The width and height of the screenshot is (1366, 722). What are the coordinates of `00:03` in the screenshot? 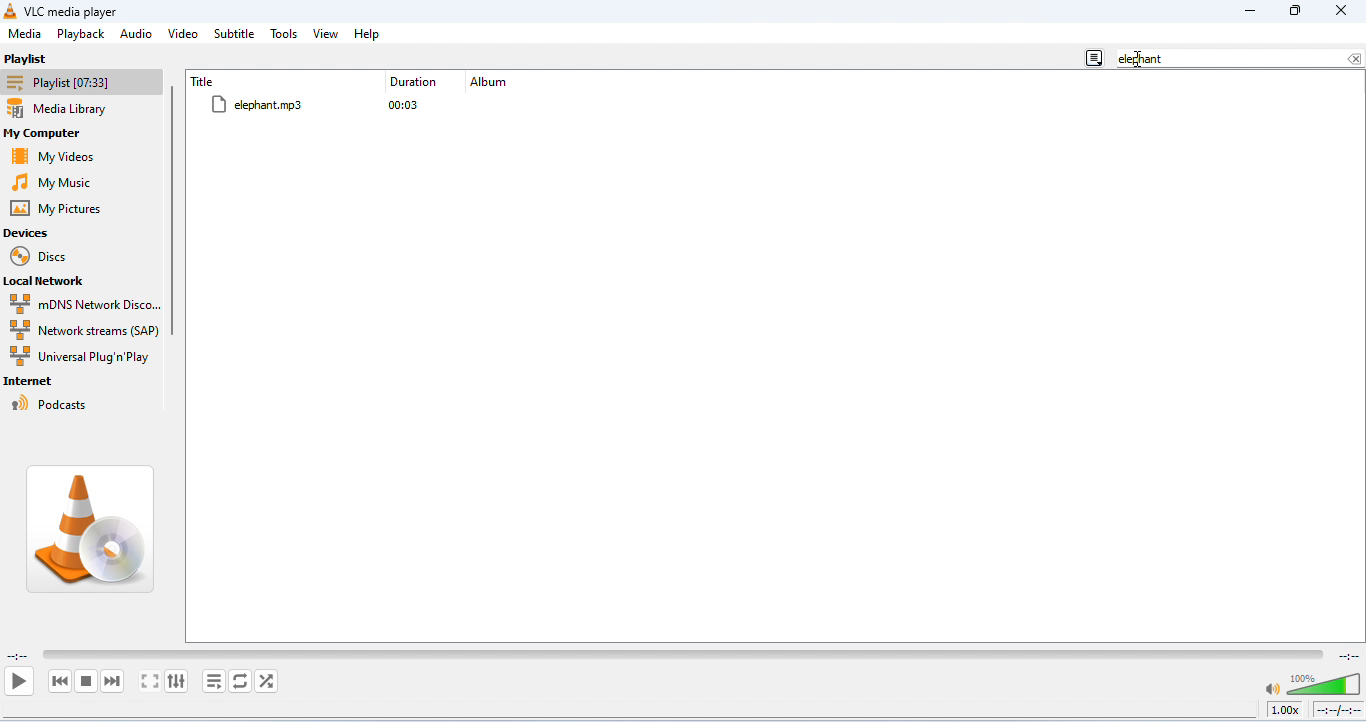 It's located at (410, 105).